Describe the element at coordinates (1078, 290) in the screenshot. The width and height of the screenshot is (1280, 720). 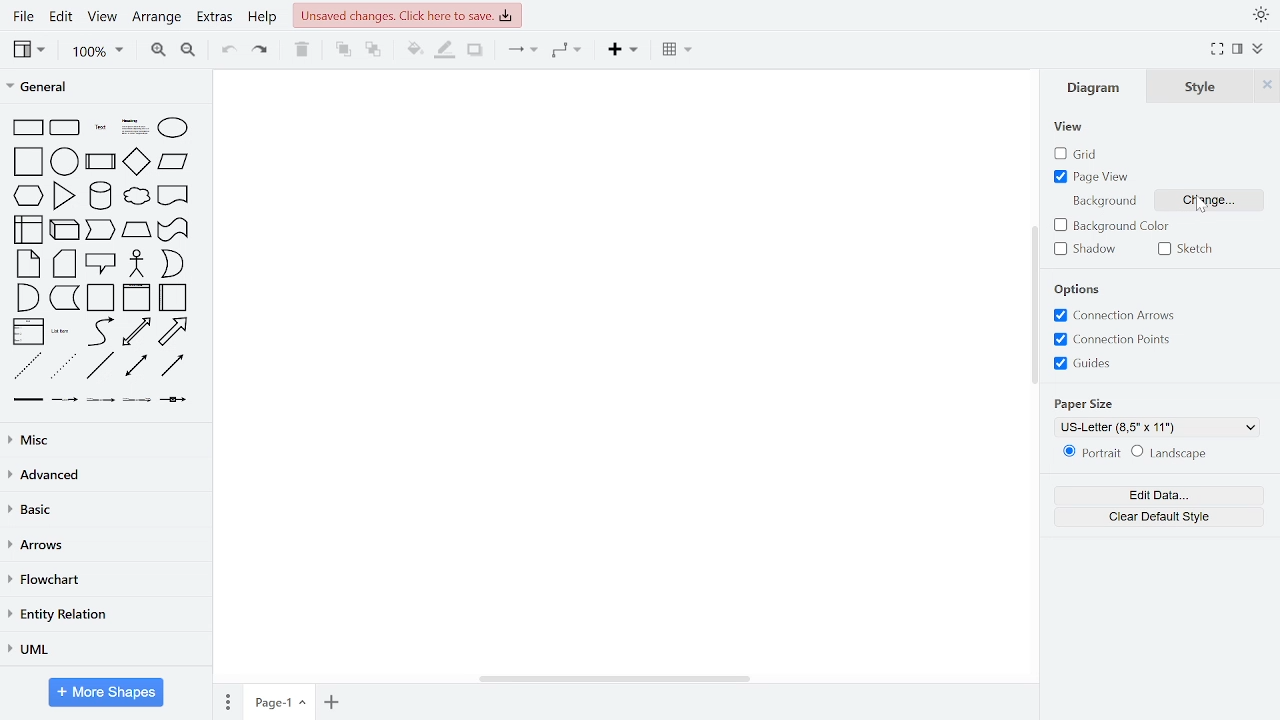
I see `Options` at that location.